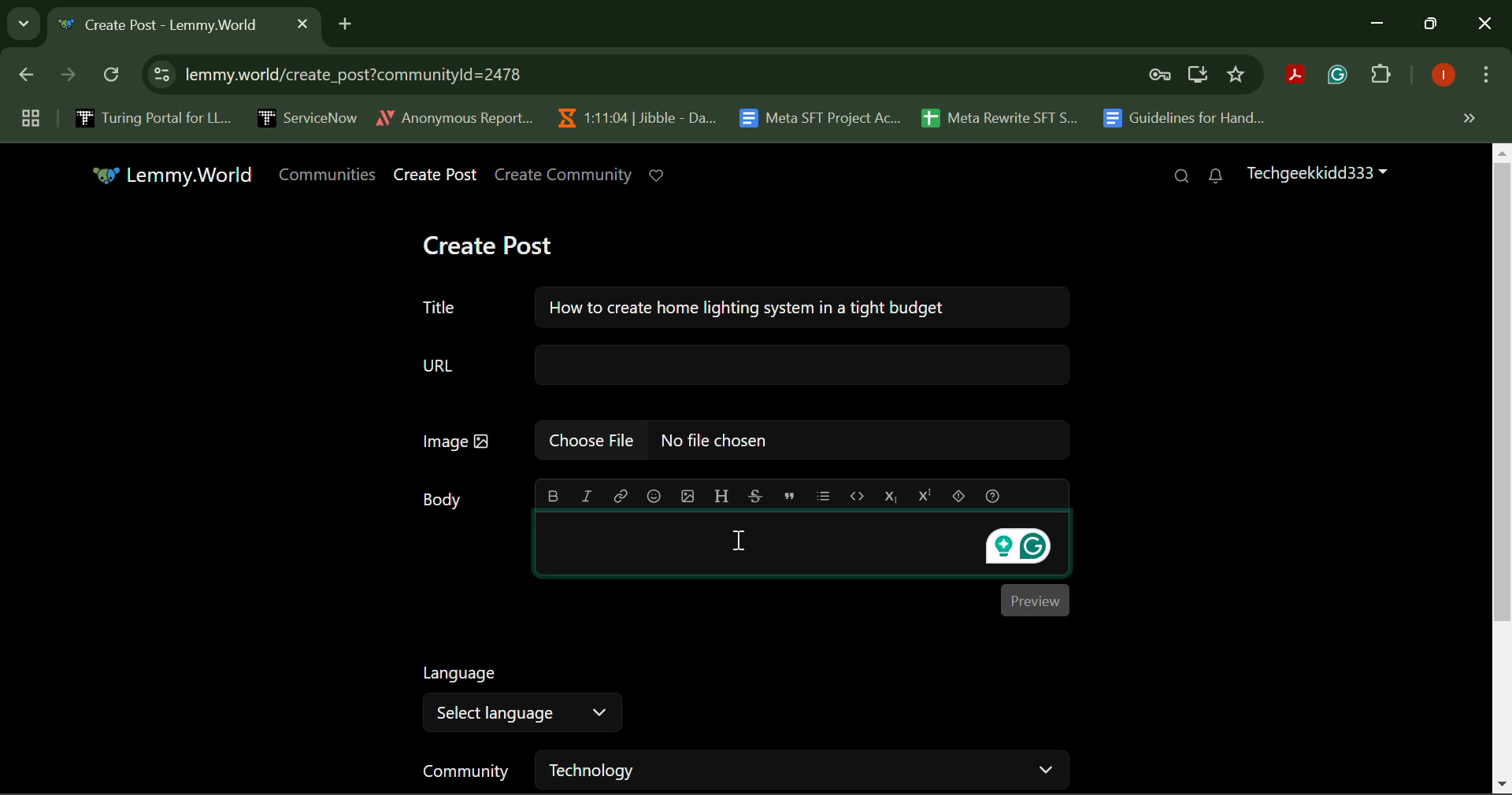  What do you see at coordinates (1186, 118) in the screenshot?
I see `Guidelines for Handling` at bounding box center [1186, 118].